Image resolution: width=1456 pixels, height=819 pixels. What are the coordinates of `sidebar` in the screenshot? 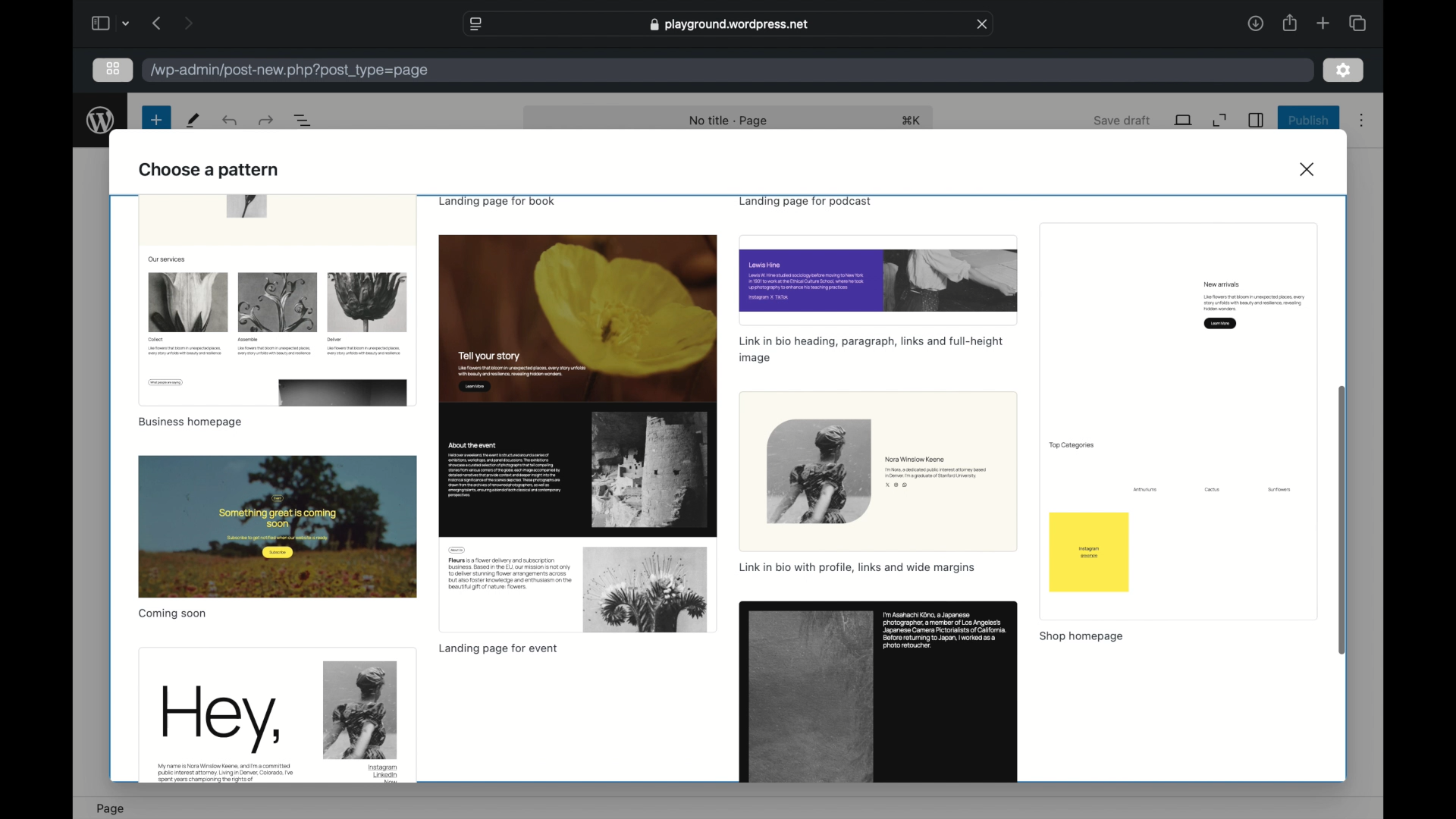 It's located at (1255, 120).